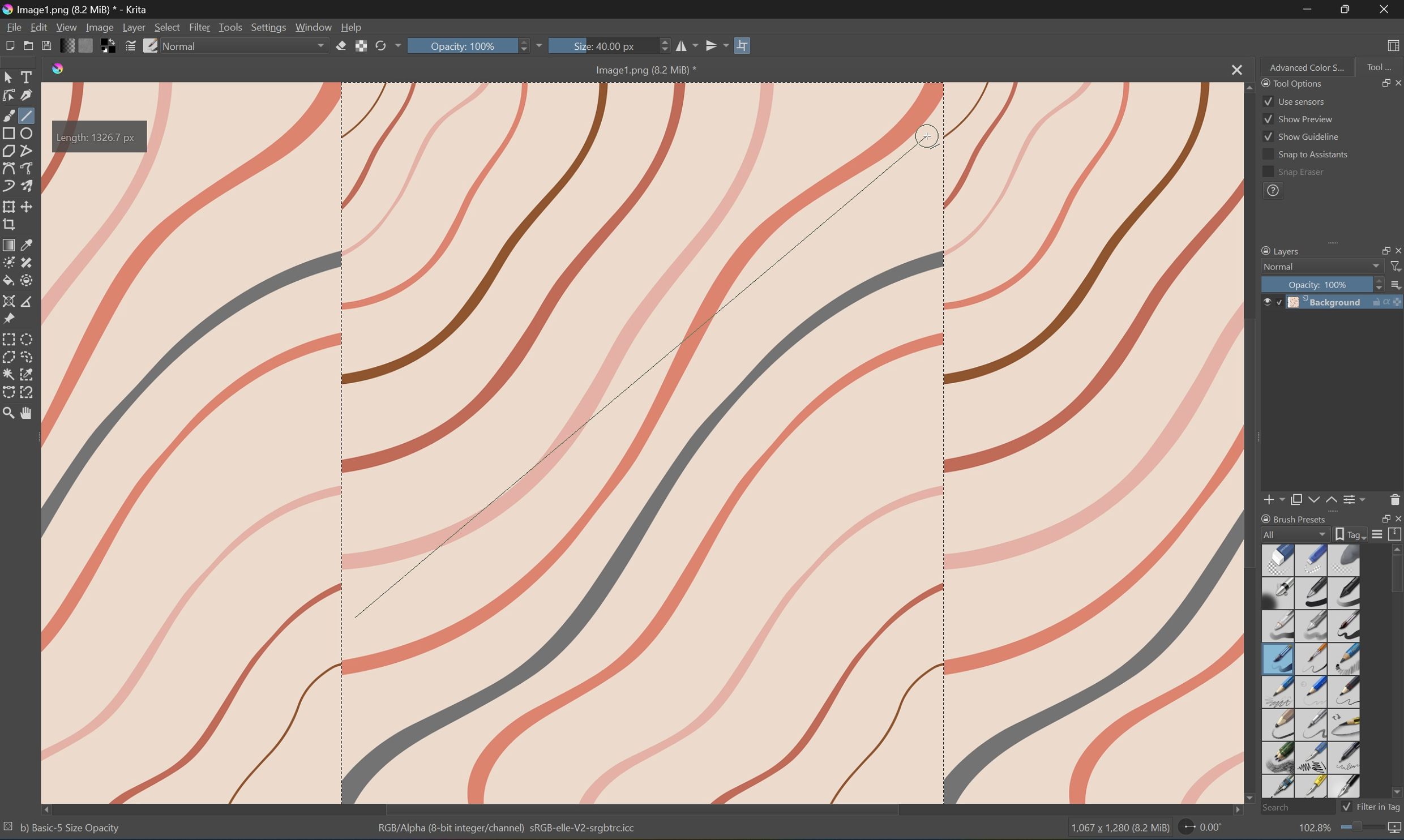 This screenshot has width=1404, height=840. What do you see at coordinates (9, 357) in the screenshot?
I see `Polygonal selection tool` at bounding box center [9, 357].